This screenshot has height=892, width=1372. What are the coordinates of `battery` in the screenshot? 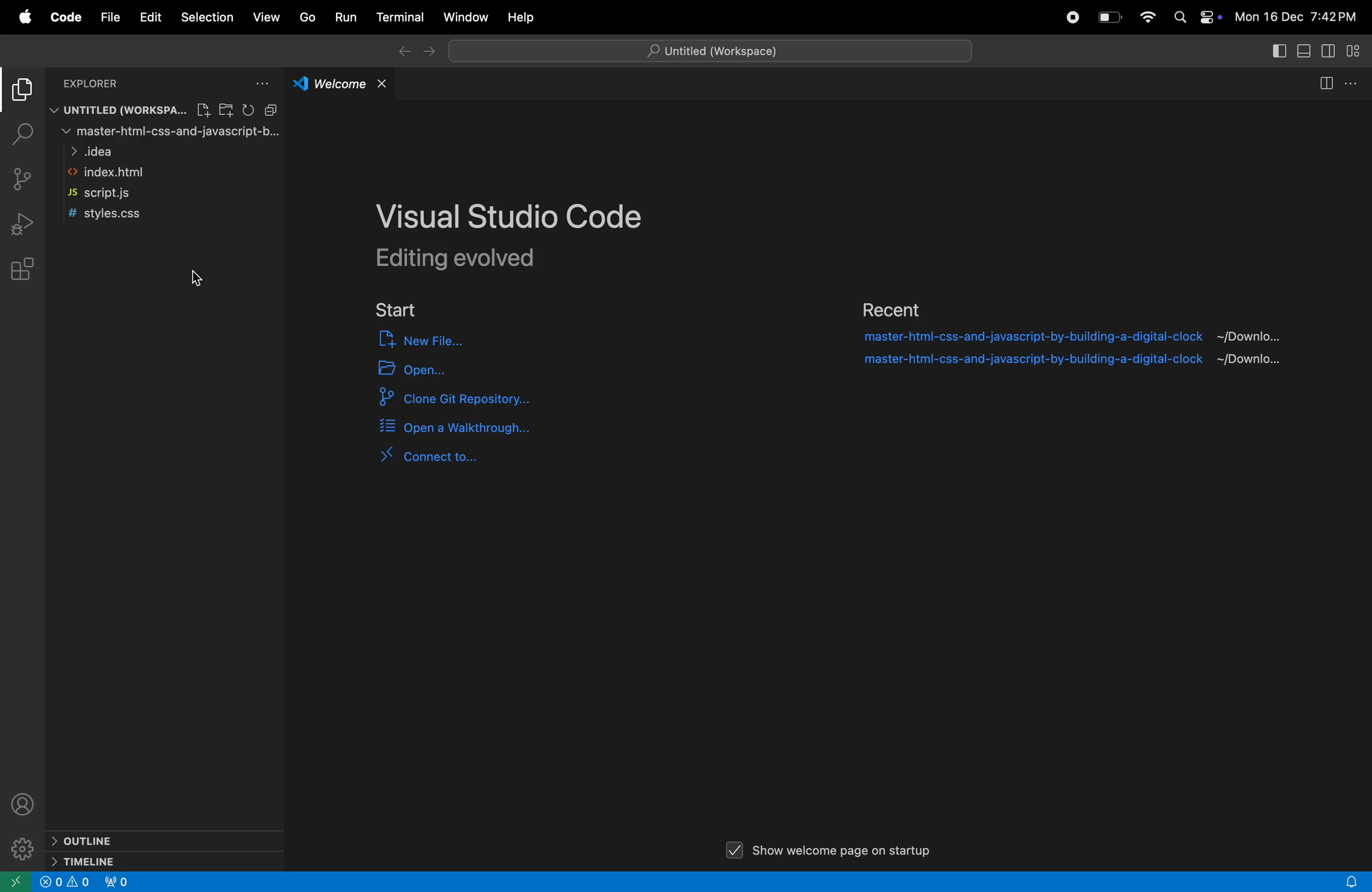 It's located at (1109, 17).